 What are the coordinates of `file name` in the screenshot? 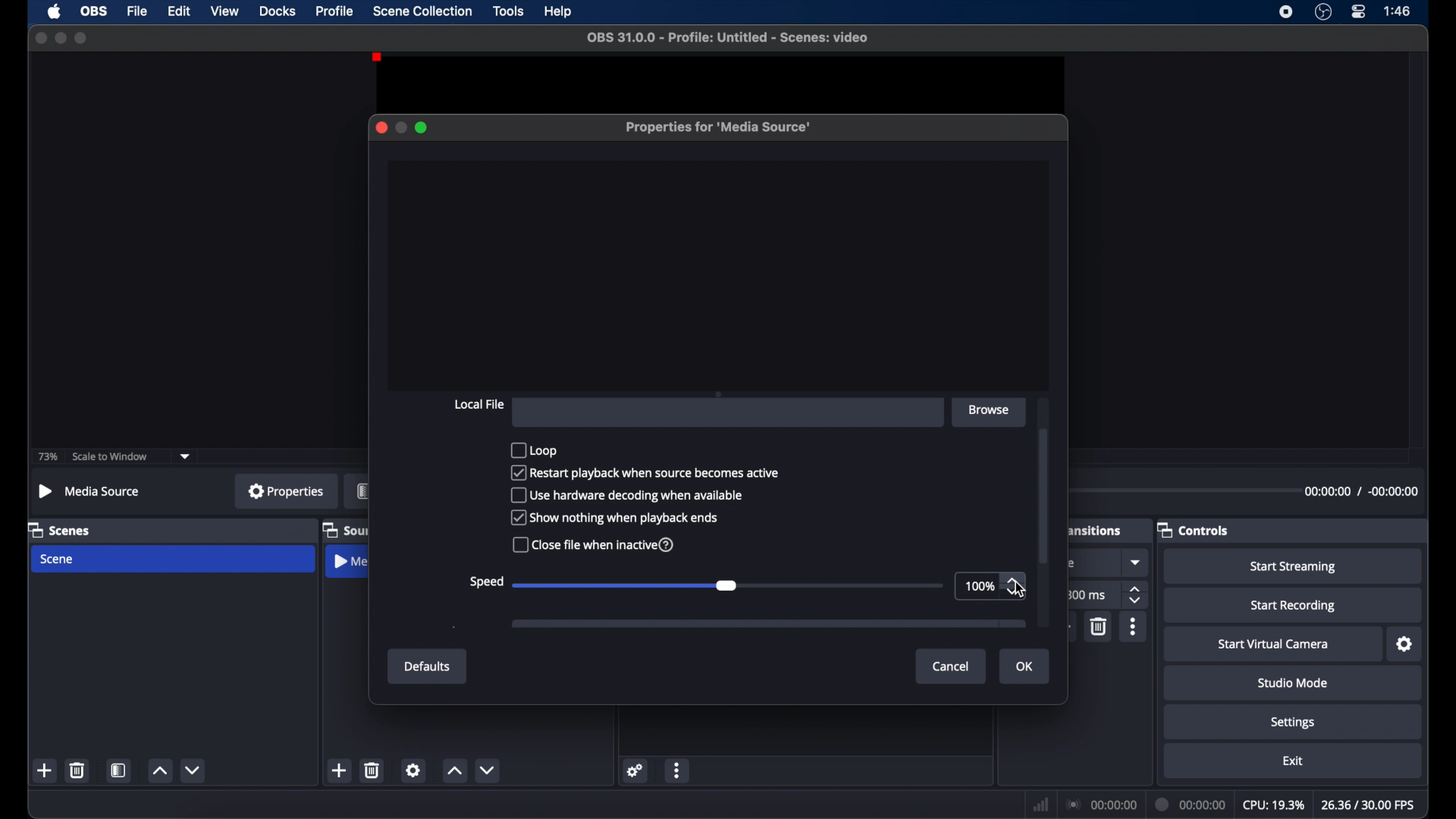 It's located at (732, 38).